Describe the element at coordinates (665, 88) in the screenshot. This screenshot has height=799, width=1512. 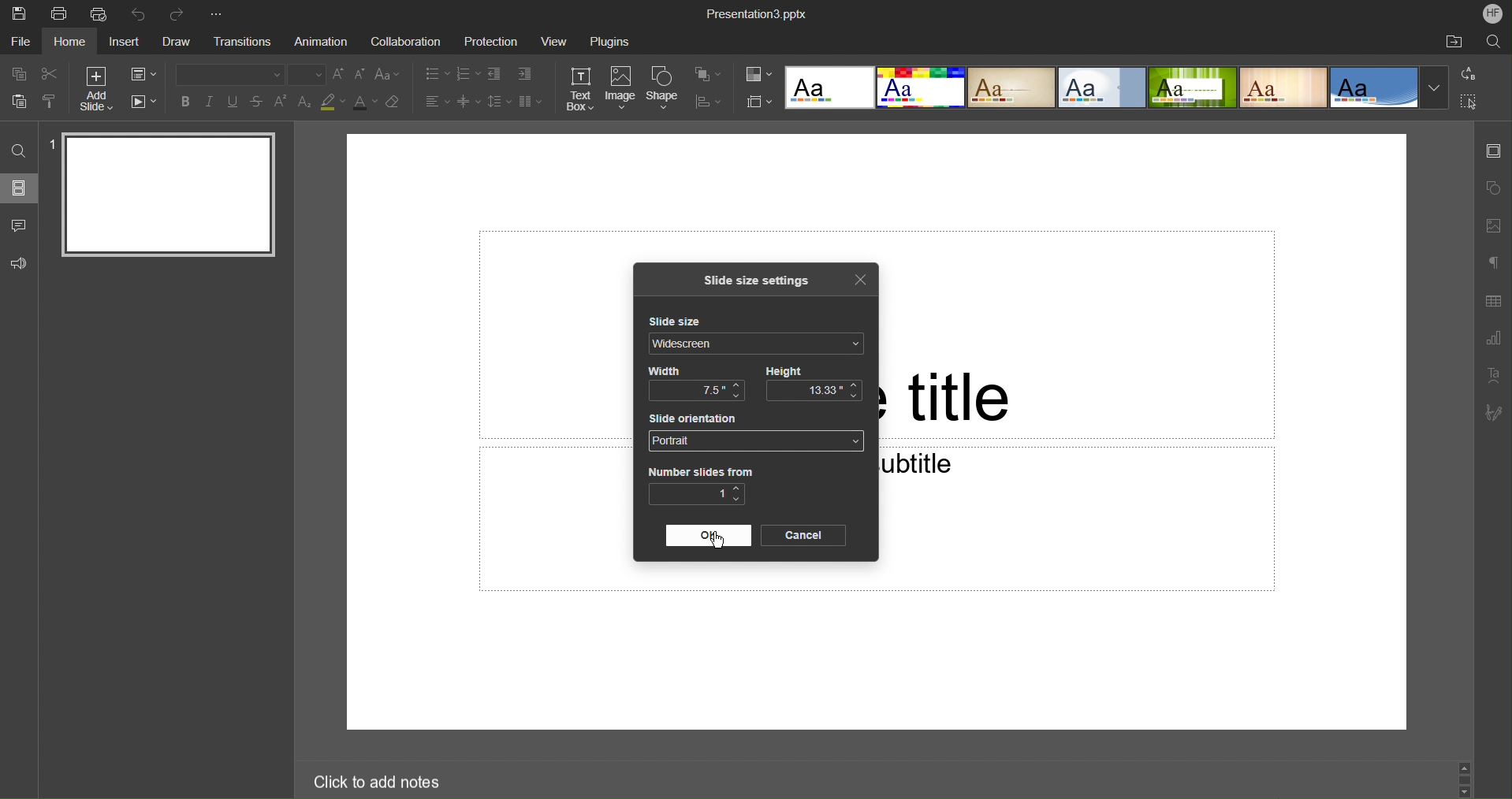
I see `Shape` at that location.